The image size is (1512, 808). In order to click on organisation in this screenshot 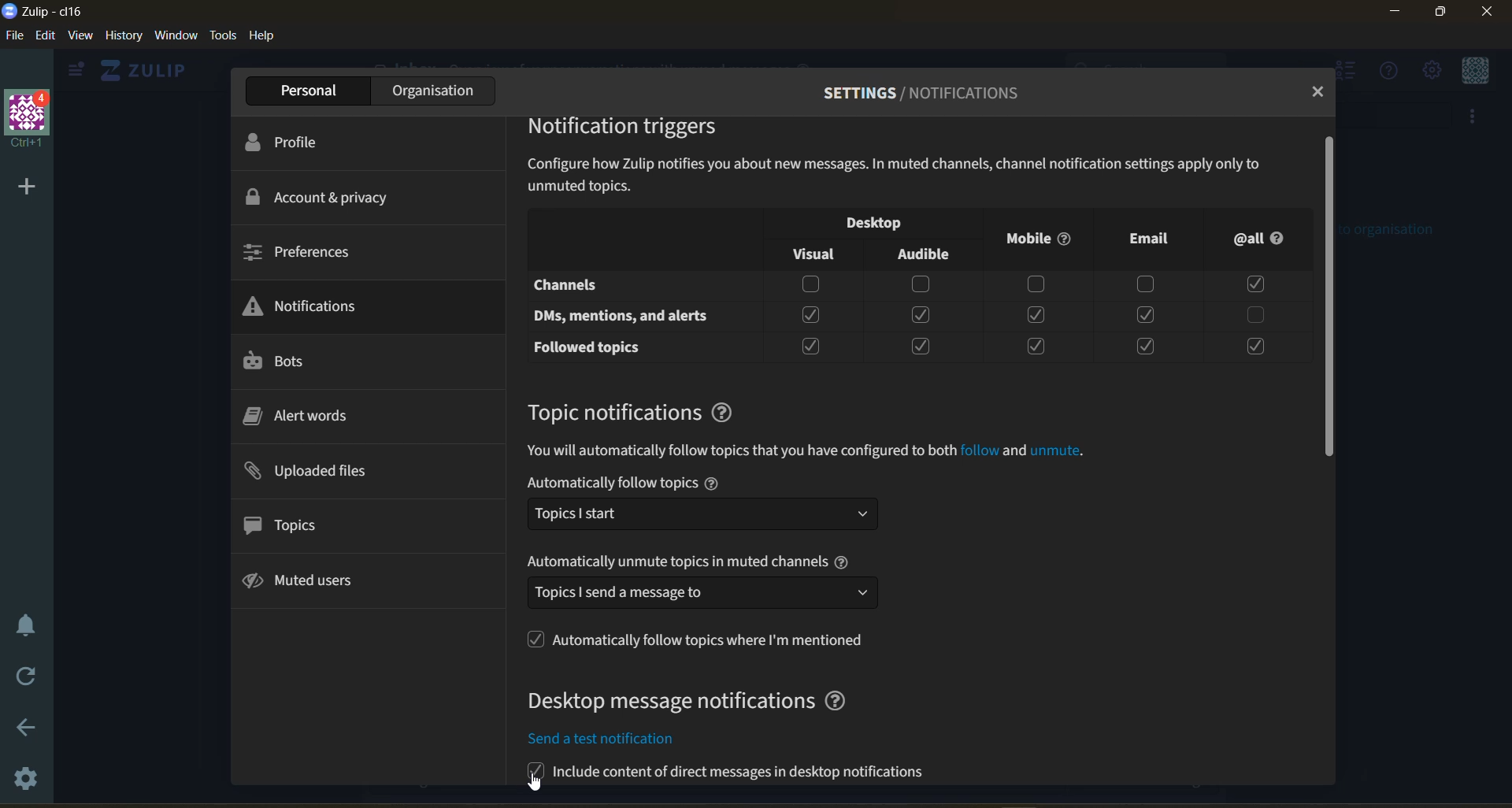, I will do `click(430, 90)`.